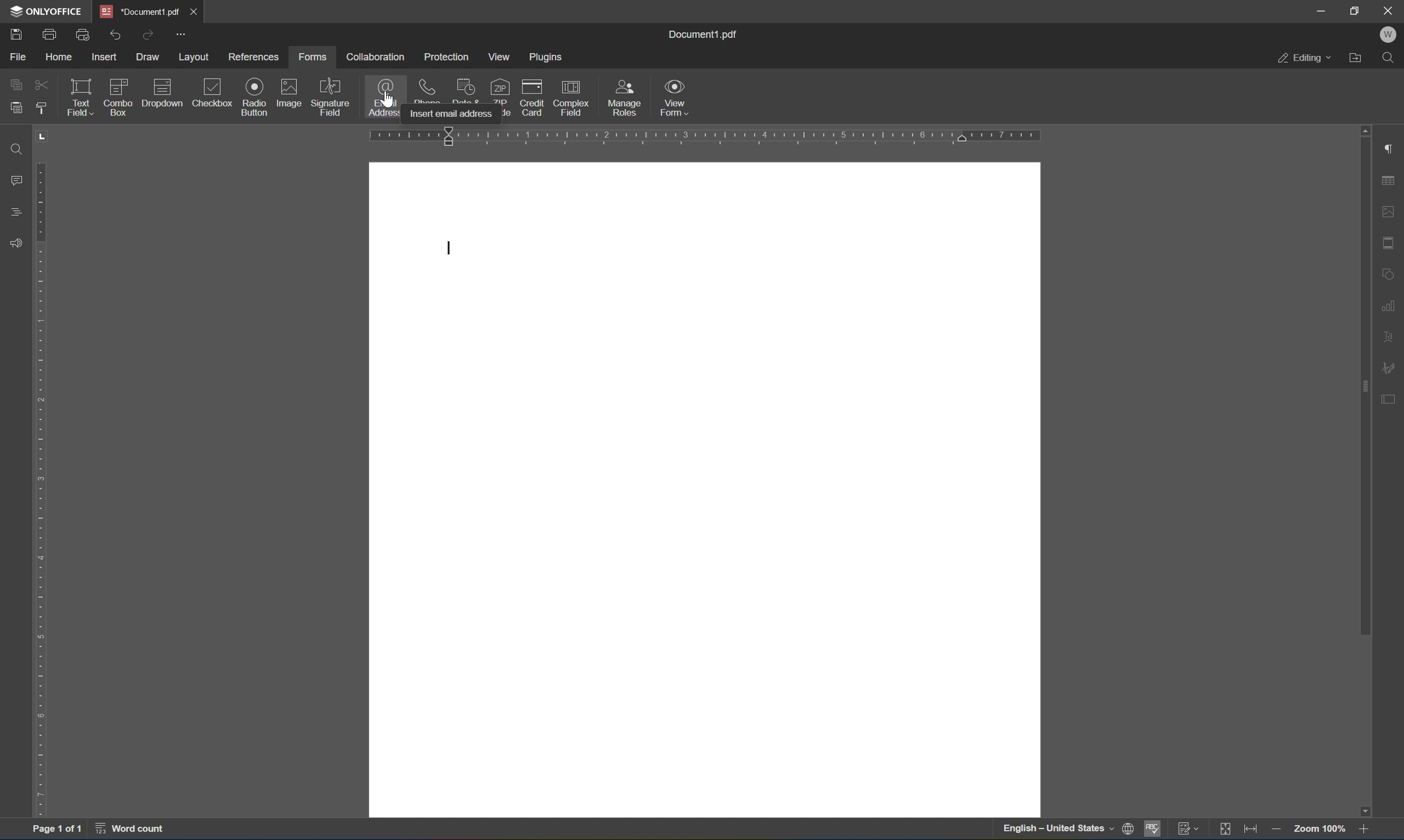 This screenshot has width=1404, height=840. Describe the element at coordinates (17, 149) in the screenshot. I see `find` at that location.